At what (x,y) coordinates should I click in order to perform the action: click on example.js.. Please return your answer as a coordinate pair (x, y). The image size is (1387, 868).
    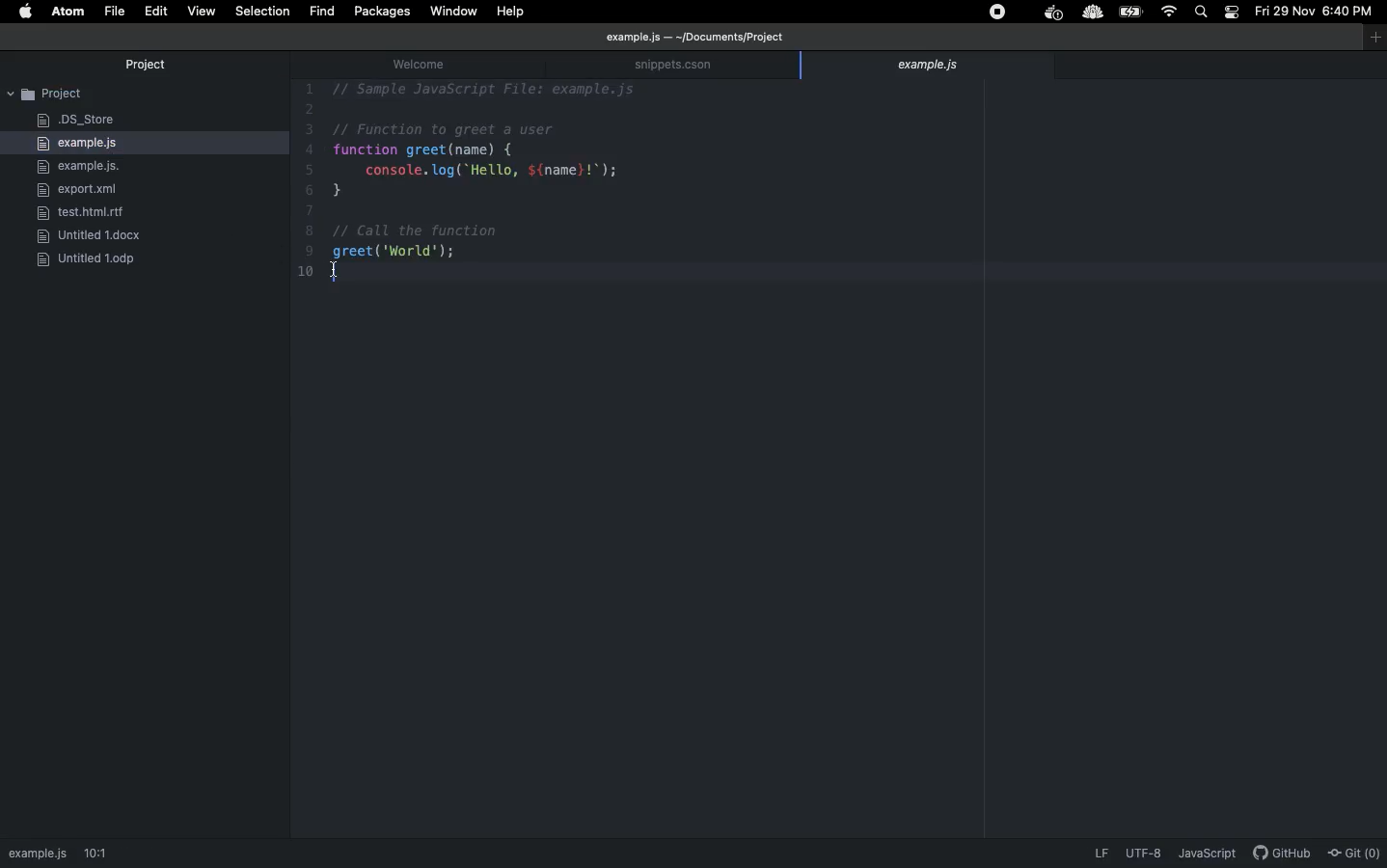
    Looking at the image, I should click on (81, 167).